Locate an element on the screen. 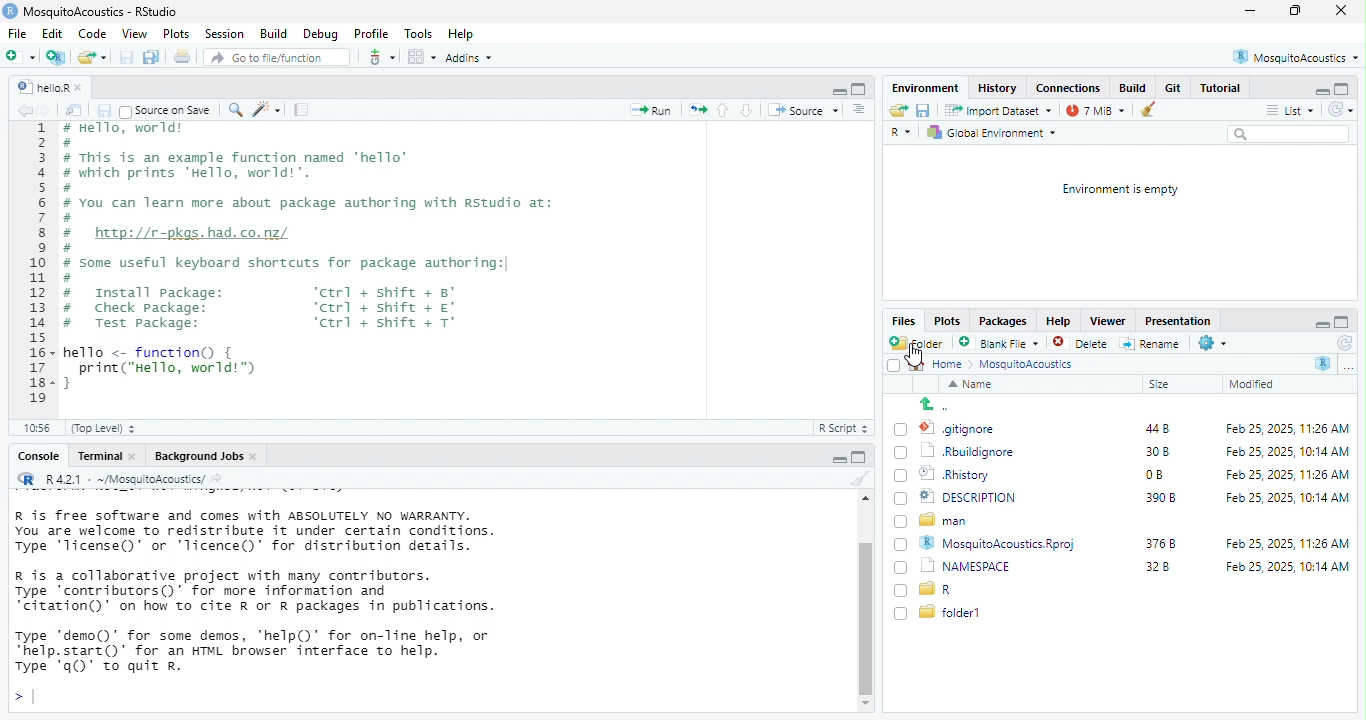  Feb 25, 2025, 11:26 AM is located at coordinates (1278, 473).